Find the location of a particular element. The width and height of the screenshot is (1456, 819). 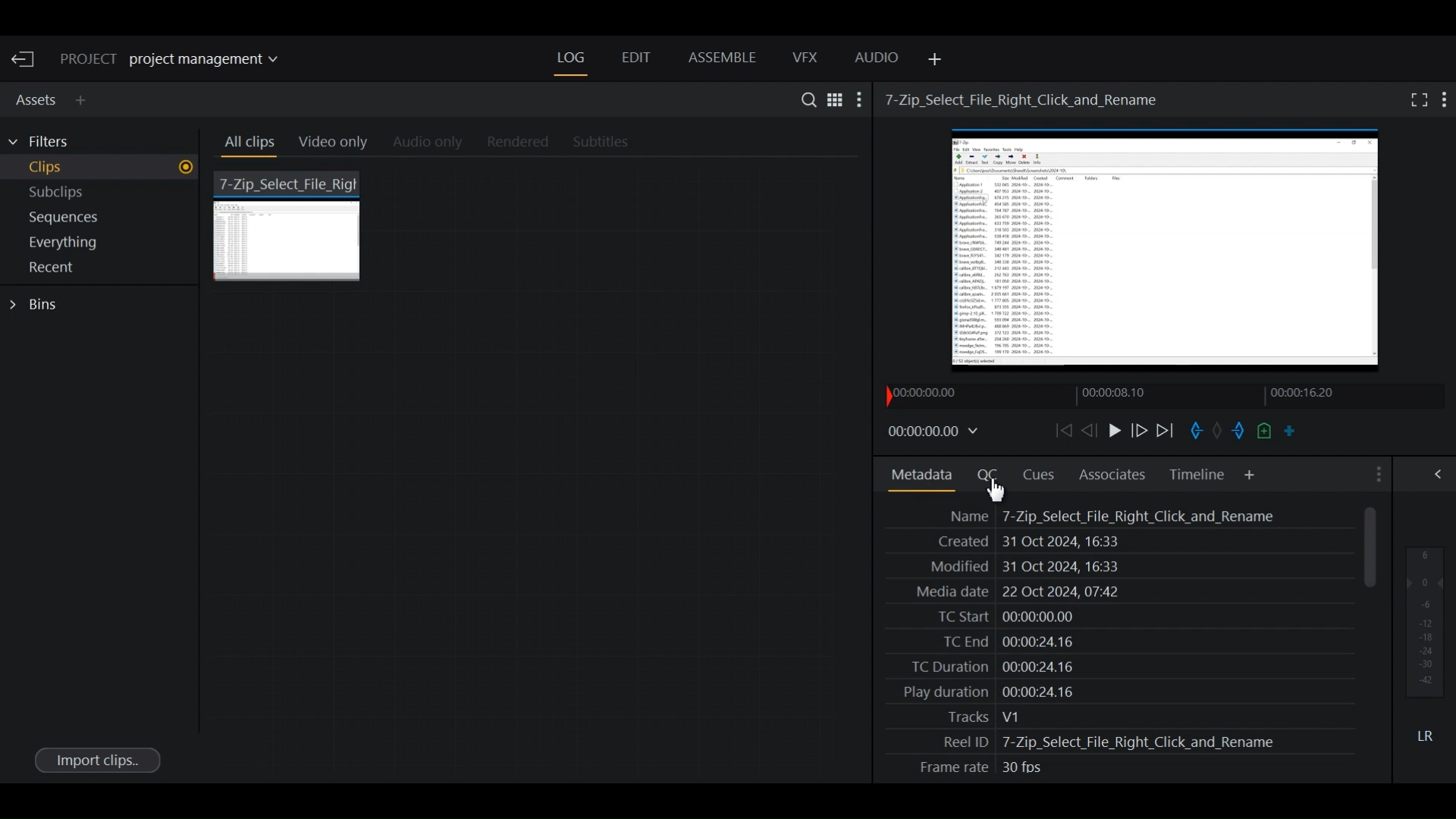

Timeline is located at coordinates (1197, 475).